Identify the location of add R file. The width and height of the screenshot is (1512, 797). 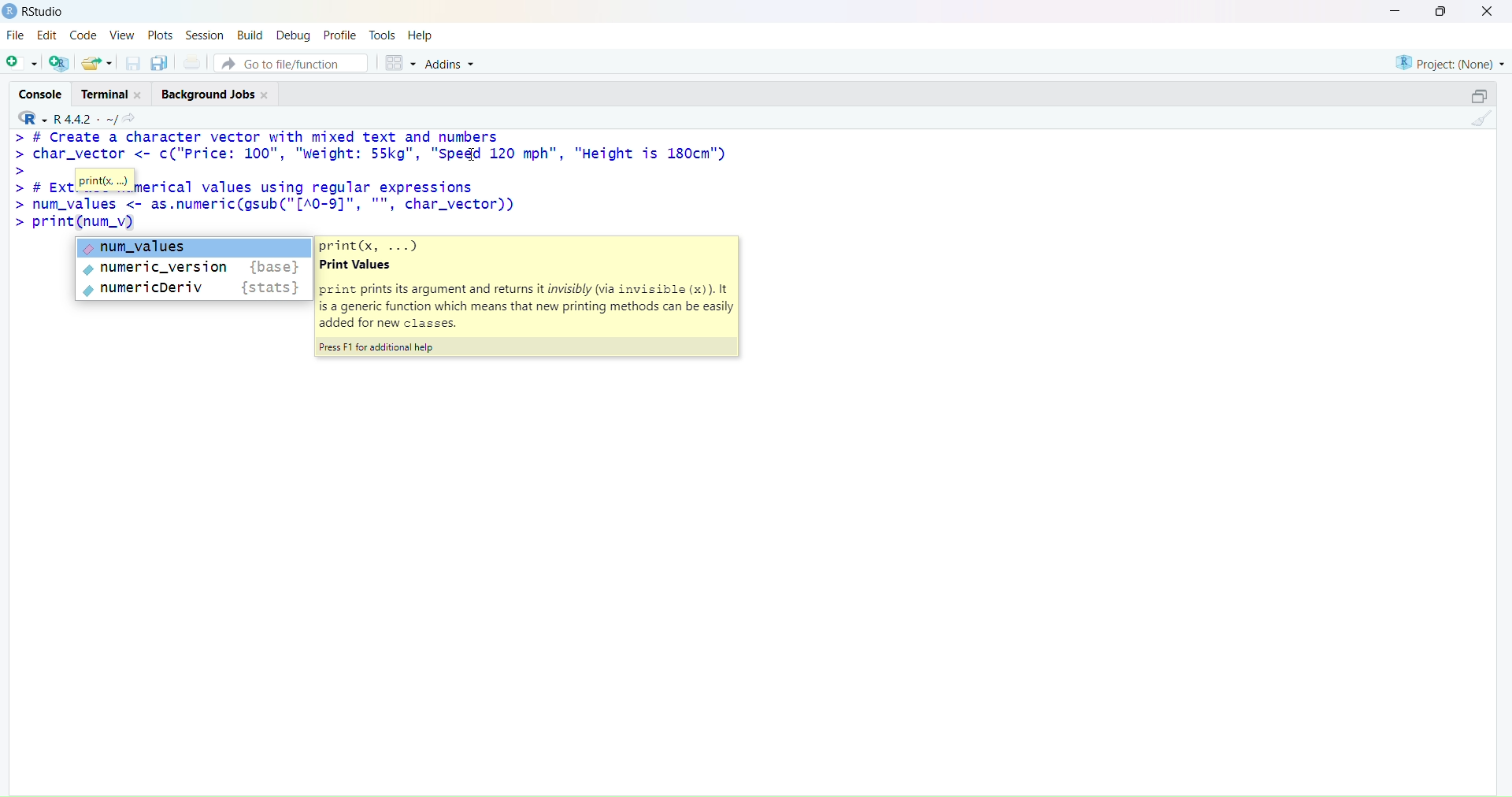
(59, 63).